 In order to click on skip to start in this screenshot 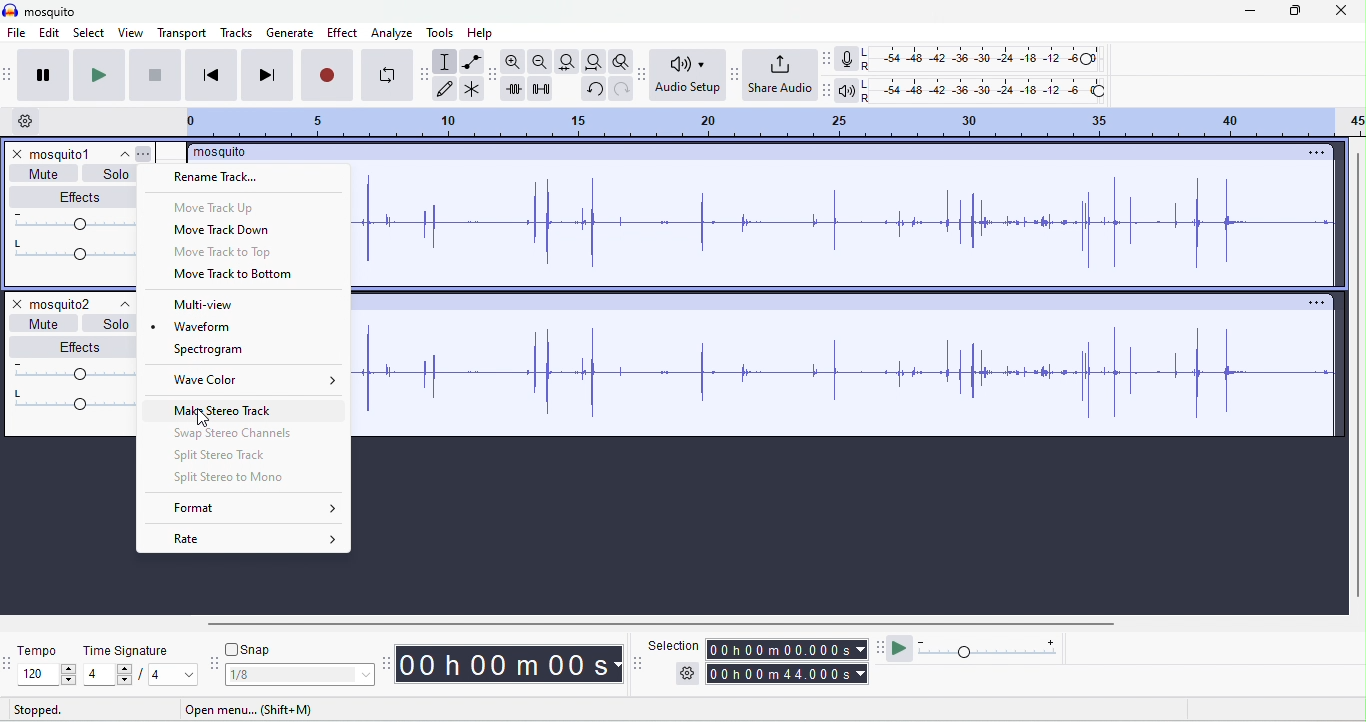, I will do `click(213, 77)`.